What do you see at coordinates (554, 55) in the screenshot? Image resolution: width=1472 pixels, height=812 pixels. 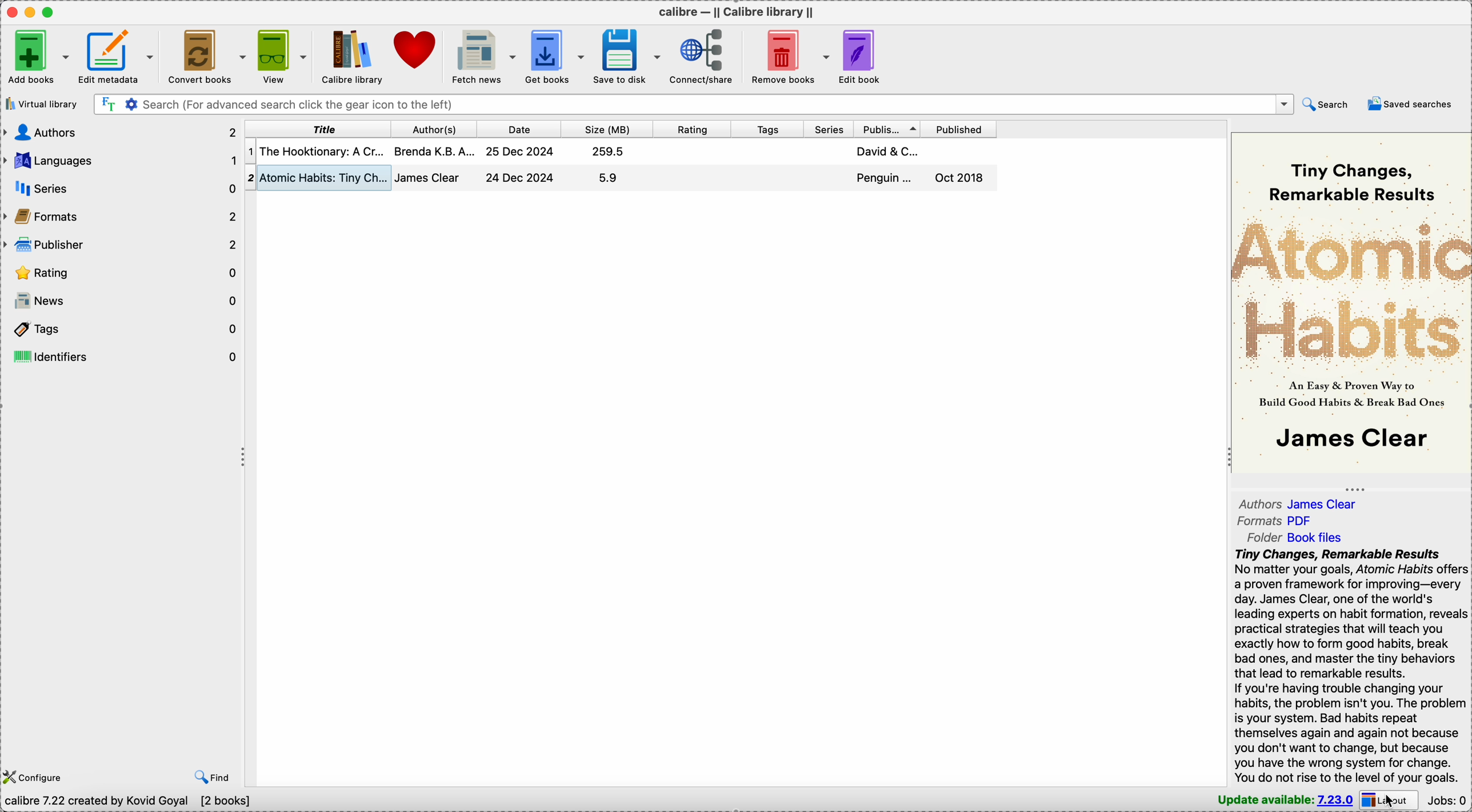 I see `get books` at bounding box center [554, 55].